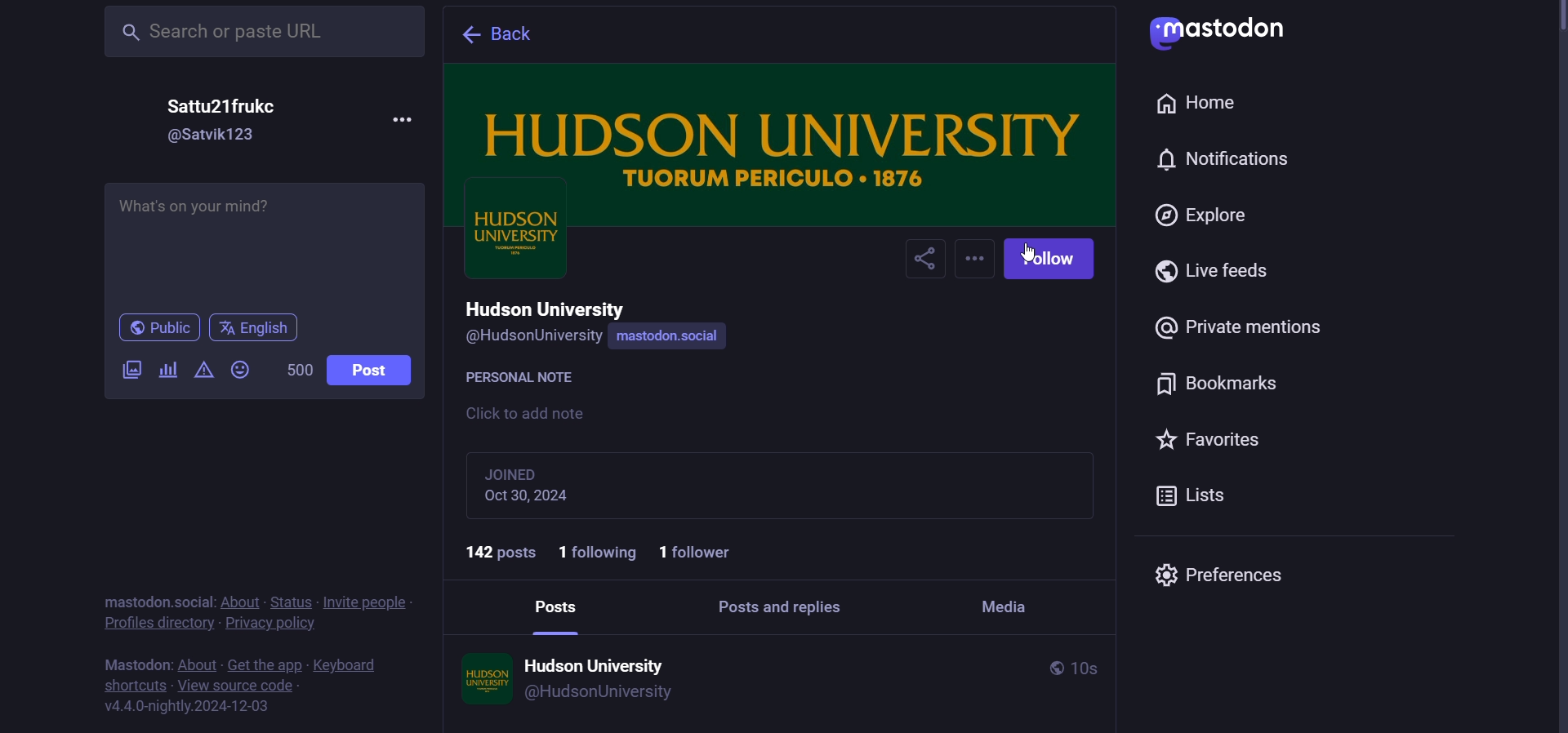 This screenshot has height=733, width=1568. Describe the element at coordinates (531, 337) in the screenshot. I see `@HudsonUniversity` at that location.